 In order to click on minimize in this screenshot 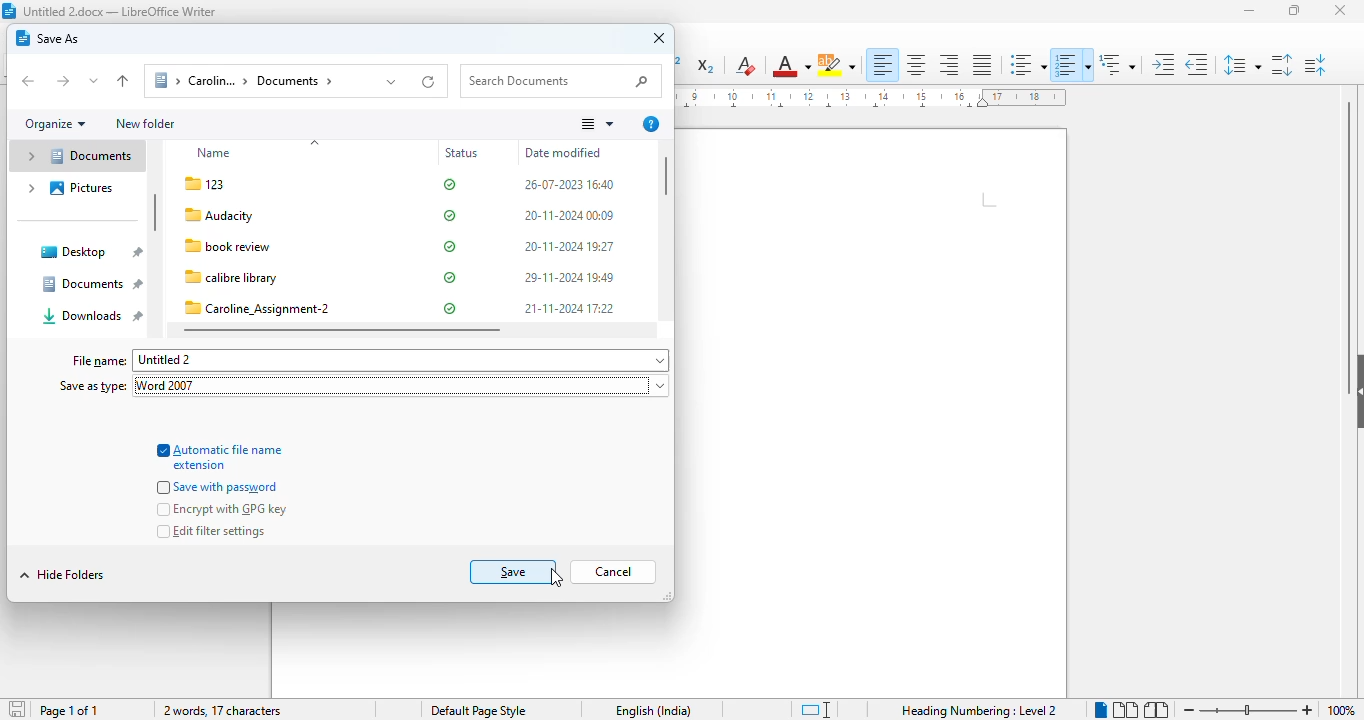, I will do `click(1251, 11)`.